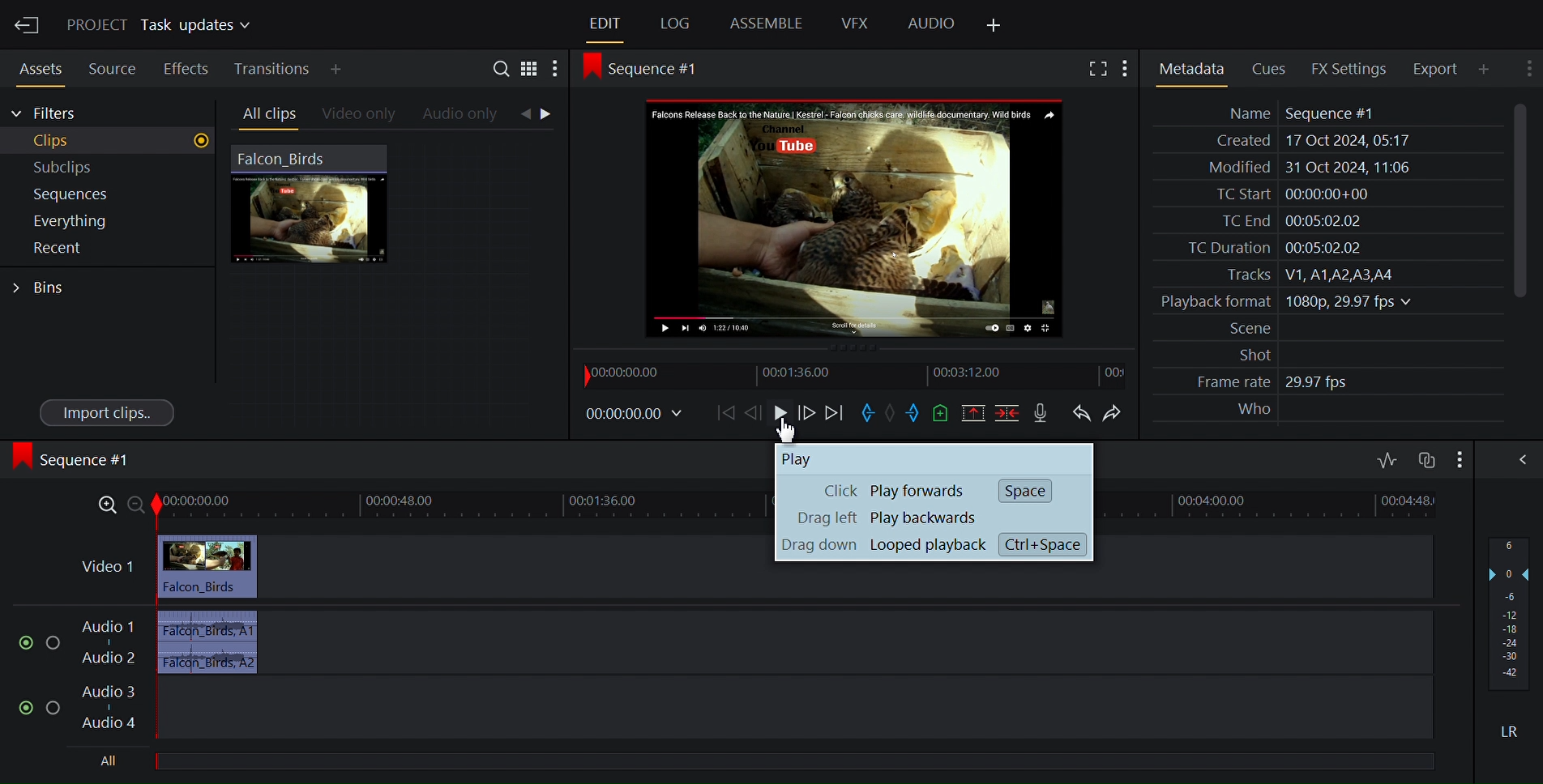 The height and width of the screenshot is (784, 1543). Describe the element at coordinates (270, 69) in the screenshot. I see `Transition` at that location.